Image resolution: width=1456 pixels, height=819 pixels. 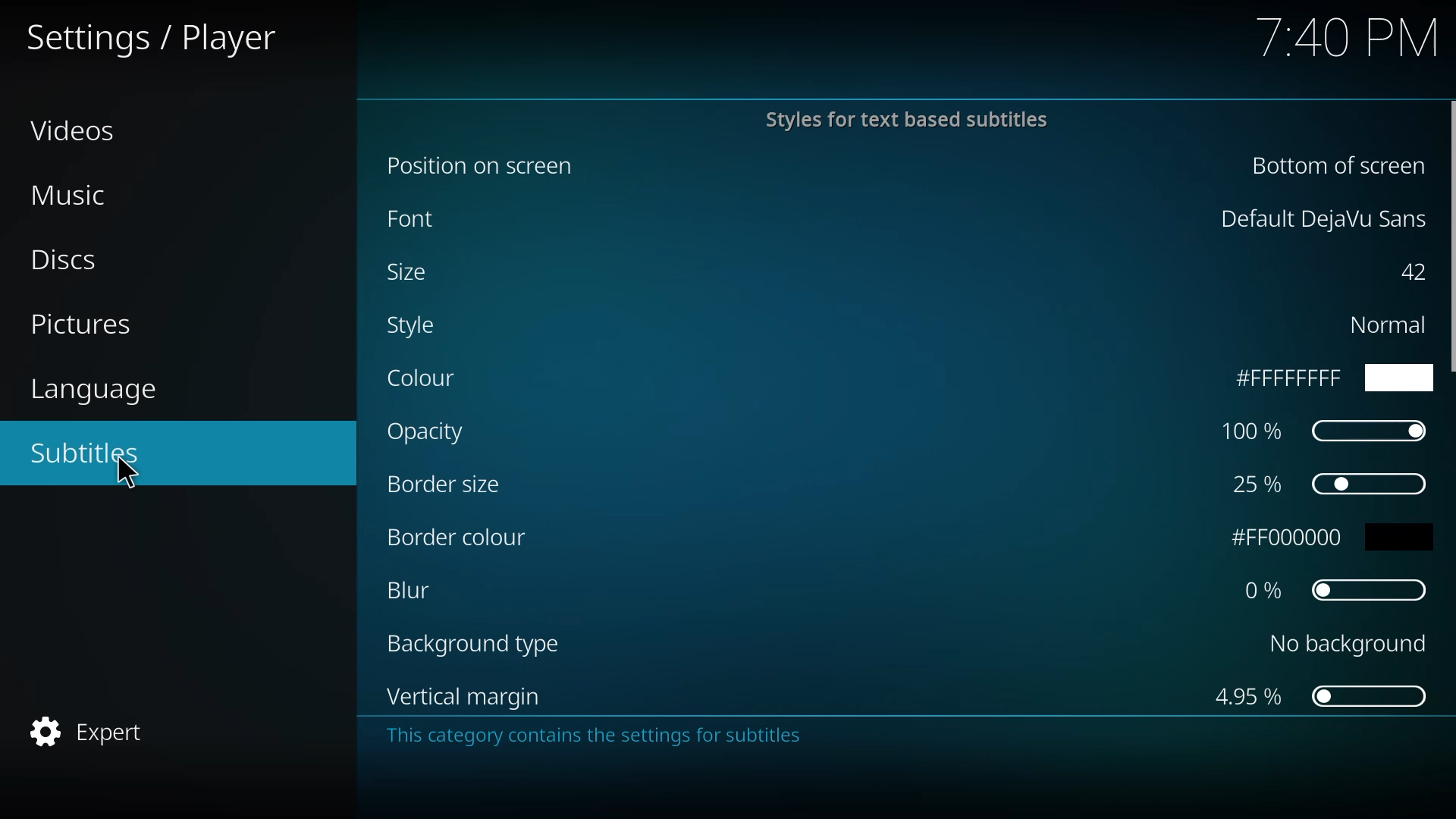 I want to click on vertical margin, so click(x=465, y=695).